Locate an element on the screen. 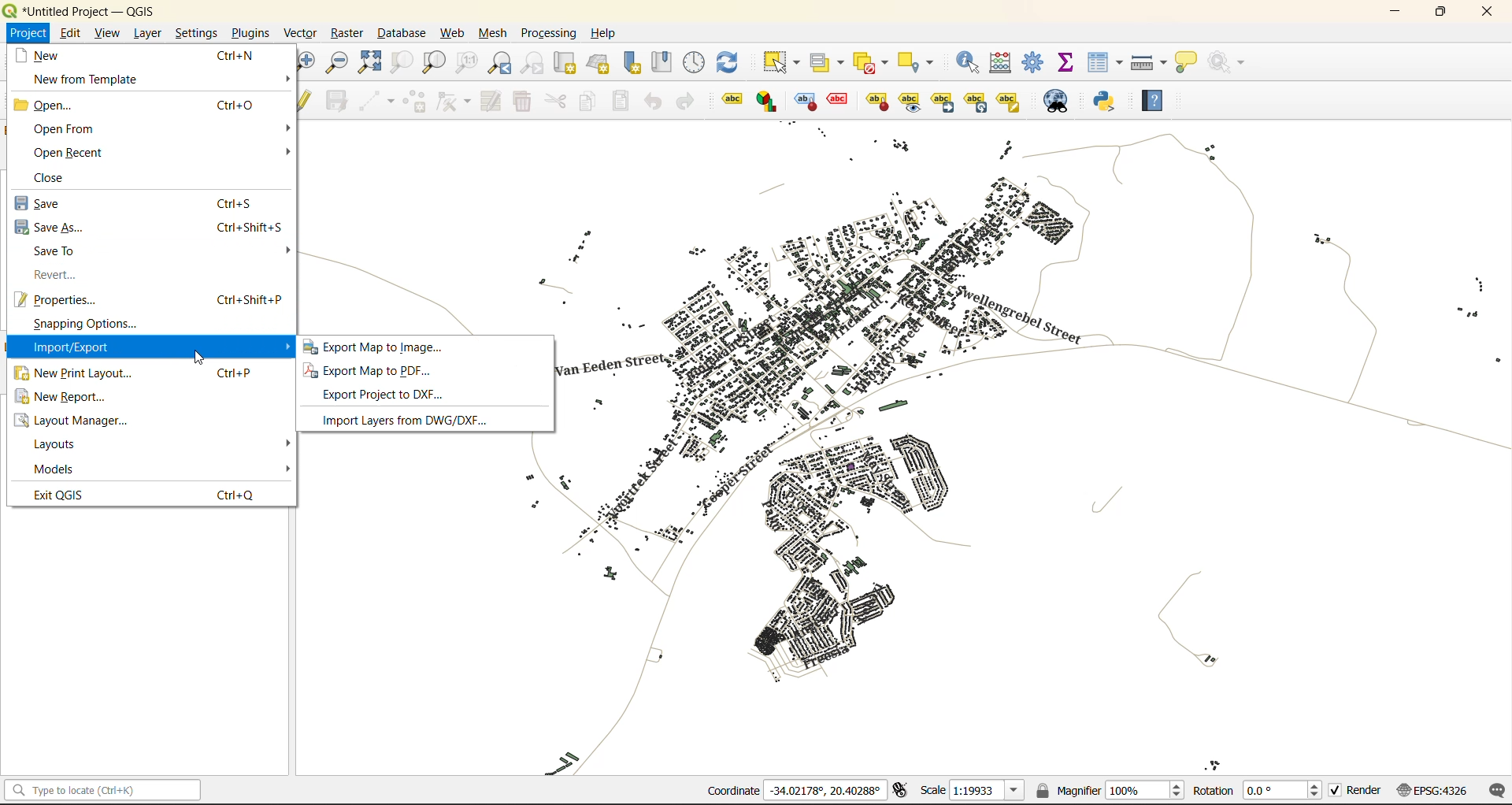 The width and height of the screenshot is (1512, 805). project is located at coordinates (27, 32).